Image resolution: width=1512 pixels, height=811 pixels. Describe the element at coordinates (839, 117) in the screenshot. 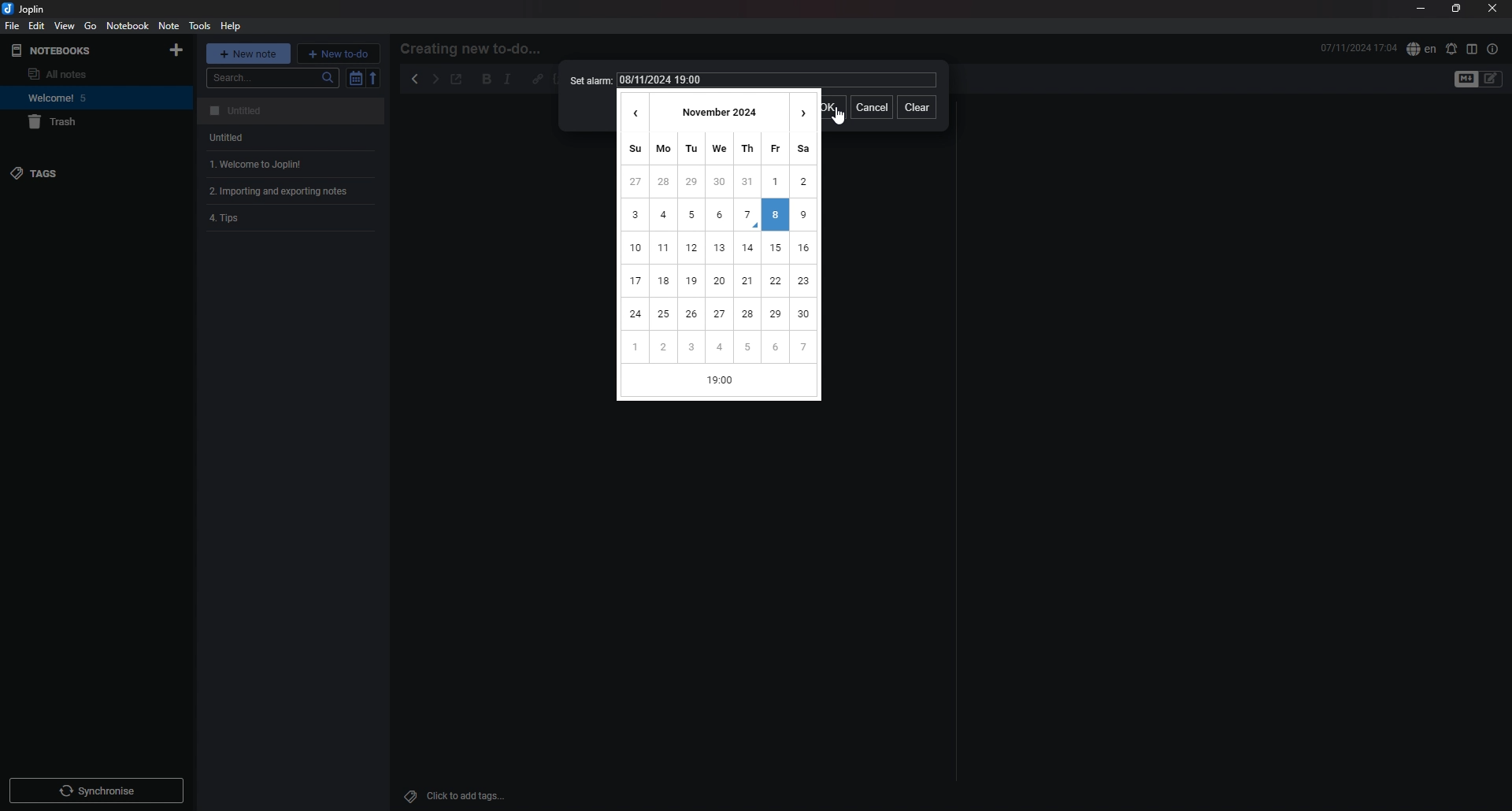

I see `cursor` at that location.